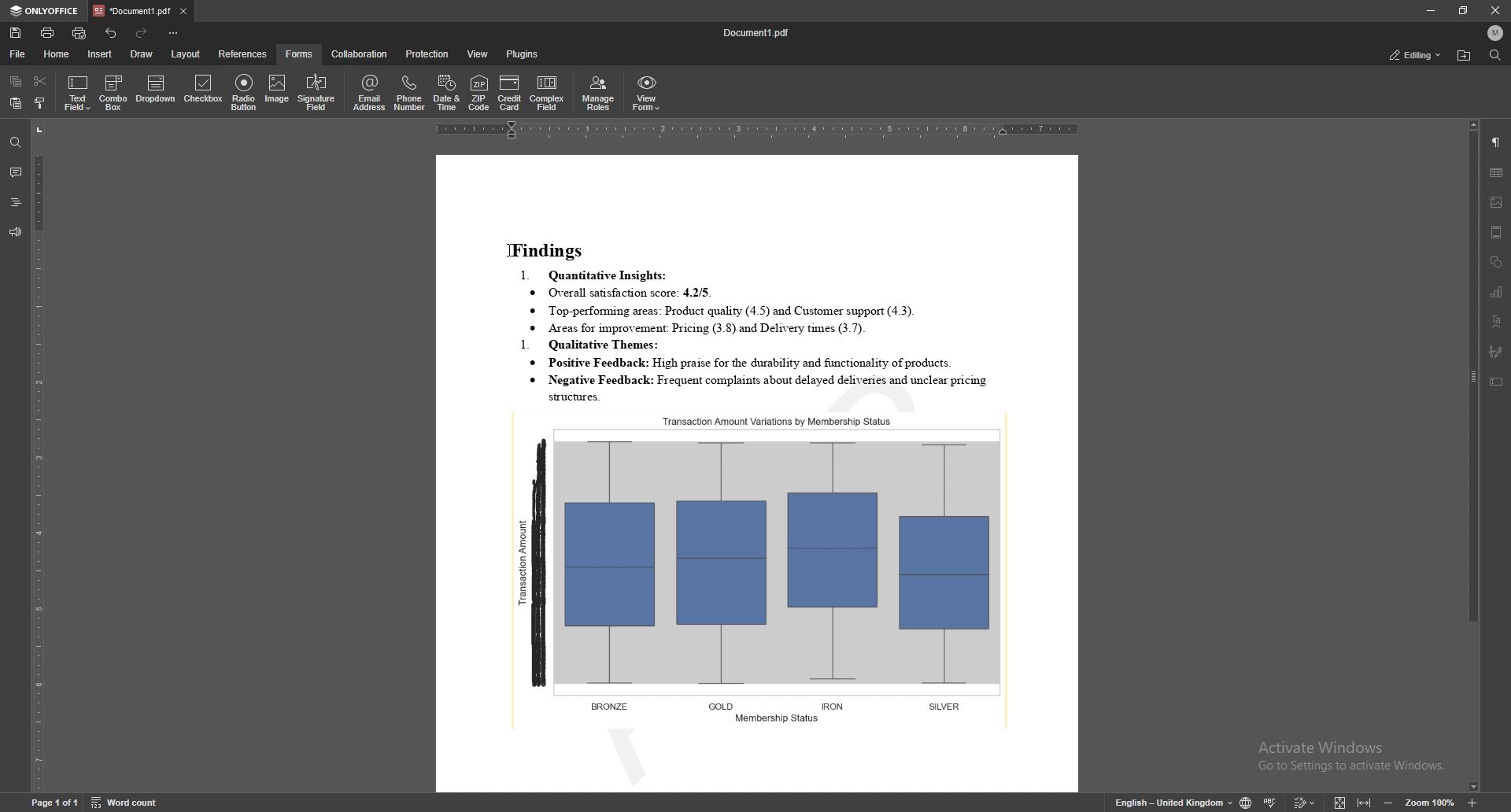 This screenshot has height=812, width=1511. What do you see at coordinates (45, 12) in the screenshot?
I see `onlyoffice` at bounding box center [45, 12].